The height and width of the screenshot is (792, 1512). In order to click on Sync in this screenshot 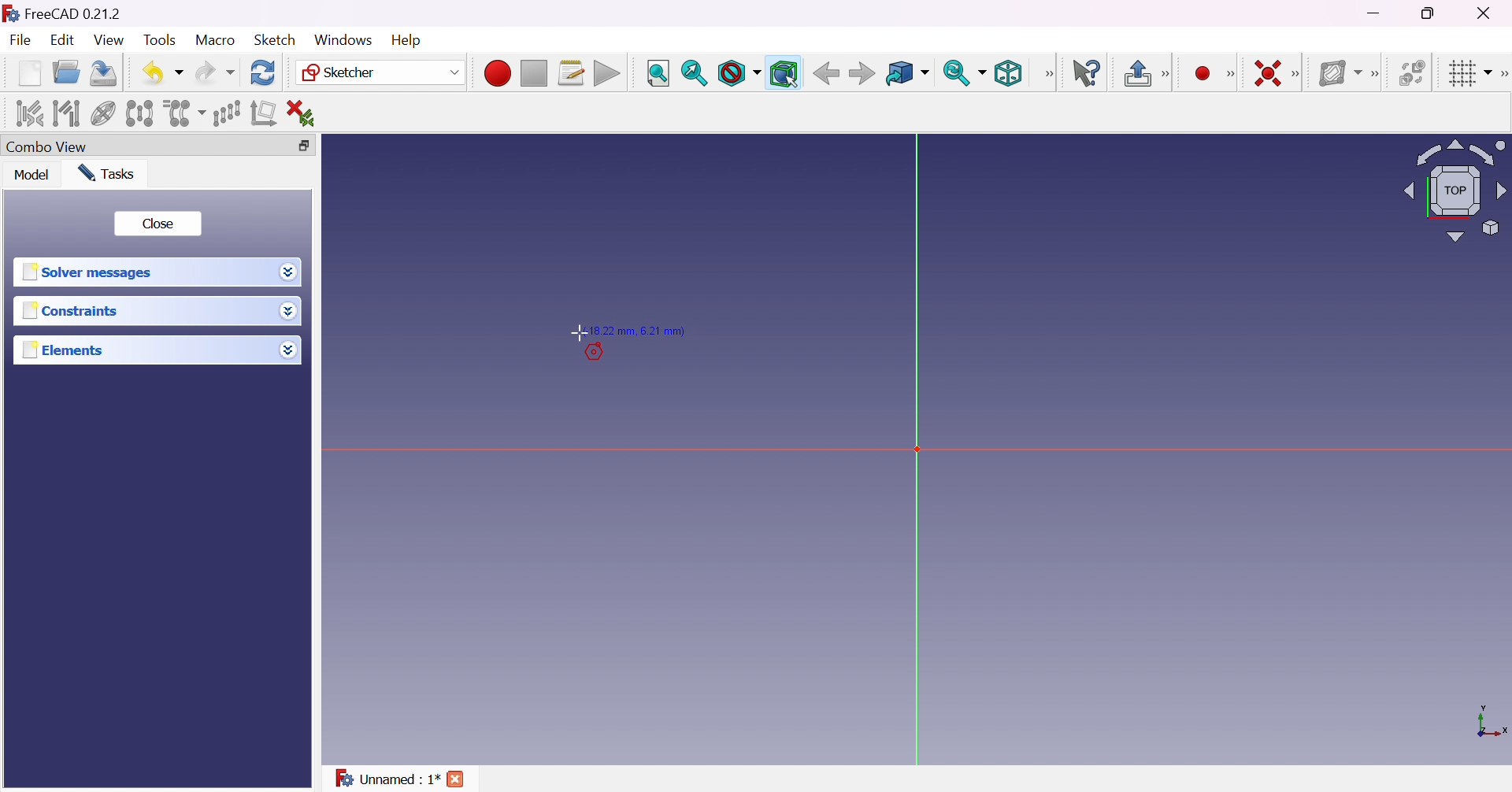, I will do `click(964, 72)`.